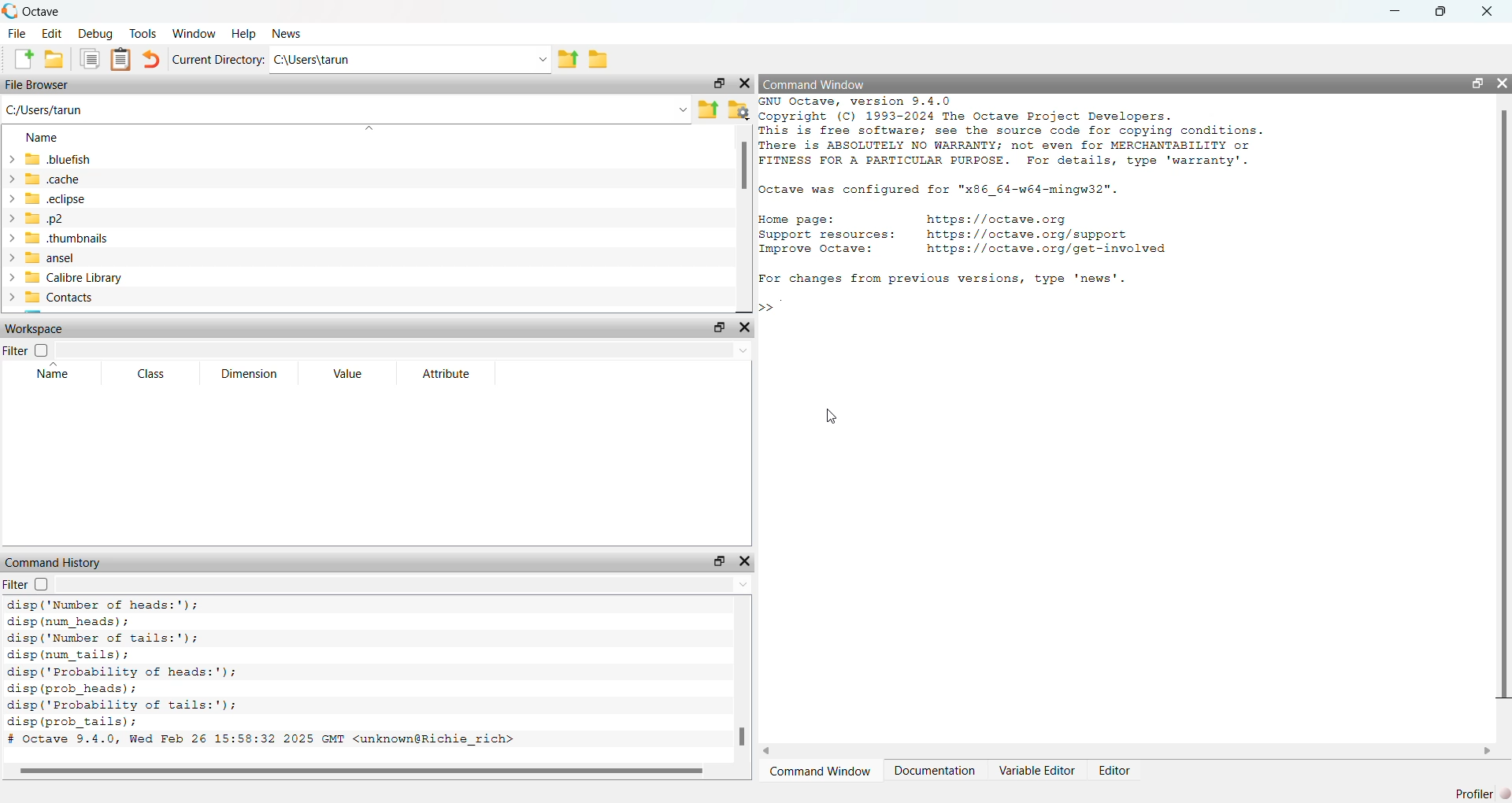 This screenshot has height=803, width=1512. I want to click on Enter text to filter the workspace, so click(403, 350).